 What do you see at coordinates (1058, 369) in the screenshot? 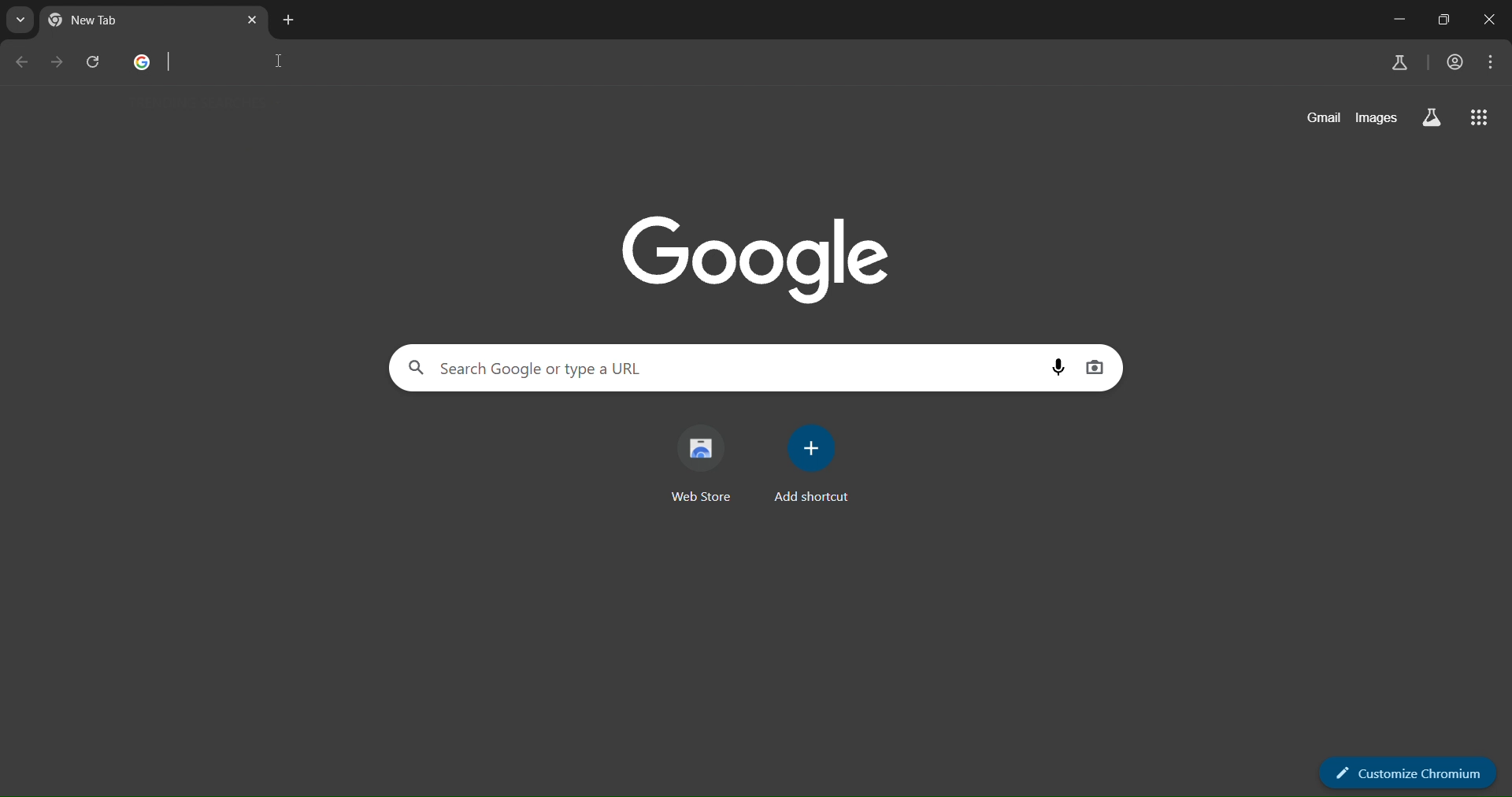
I see `voice search` at bounding box center [1058, 369].